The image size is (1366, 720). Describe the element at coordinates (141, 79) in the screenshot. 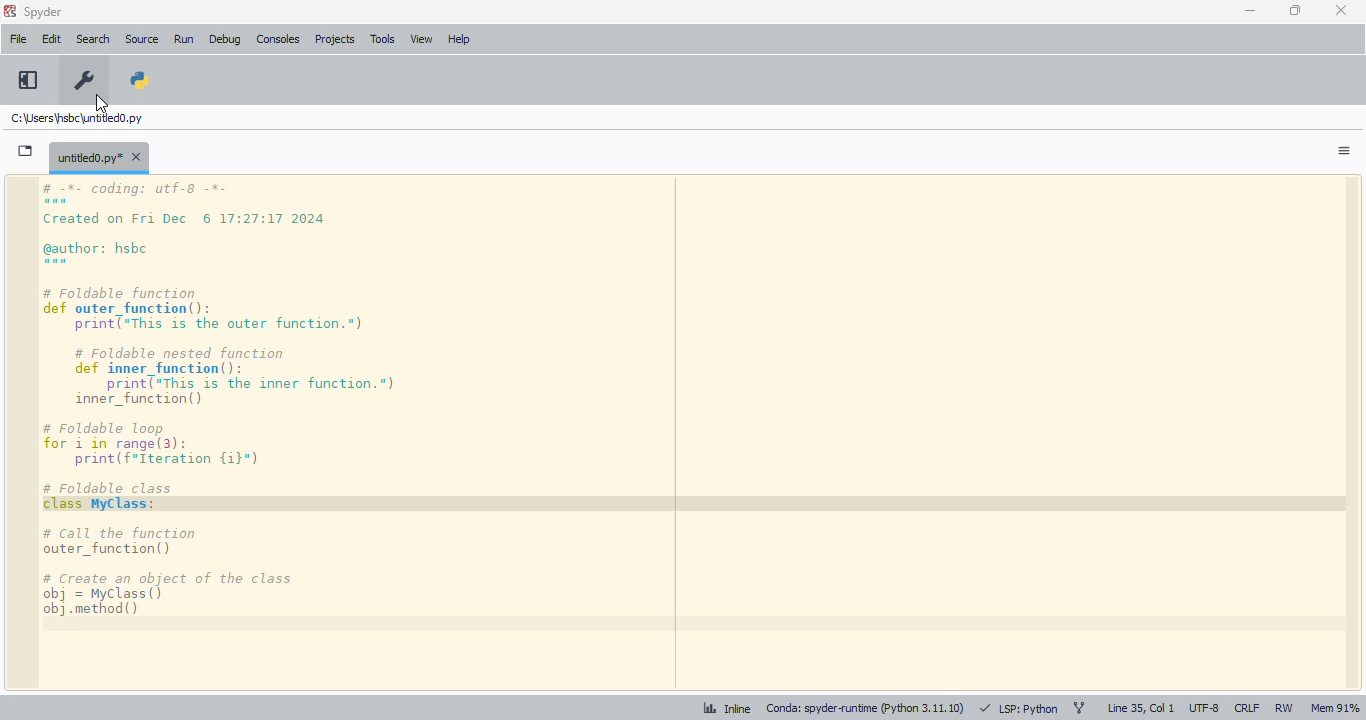

I see `PYTHONPATH manager` at that location.